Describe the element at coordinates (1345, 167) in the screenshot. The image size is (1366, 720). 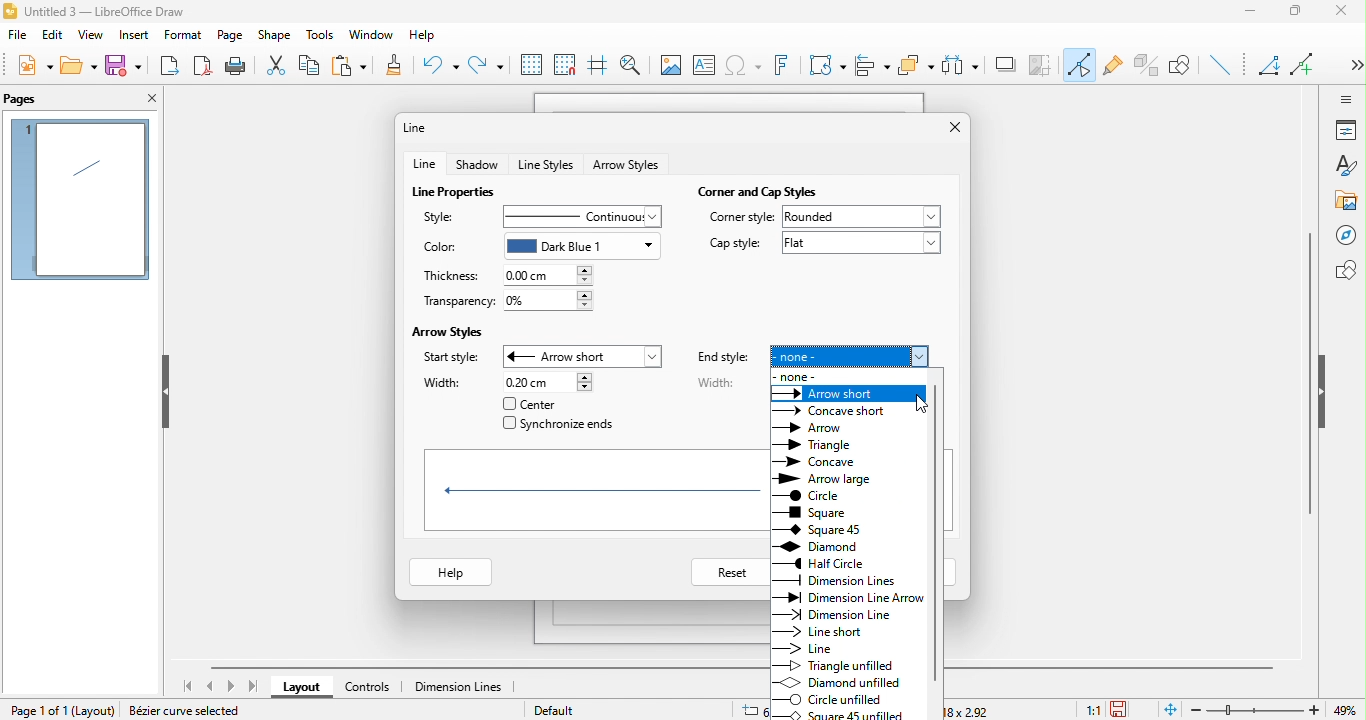
I see `styles` at that location.